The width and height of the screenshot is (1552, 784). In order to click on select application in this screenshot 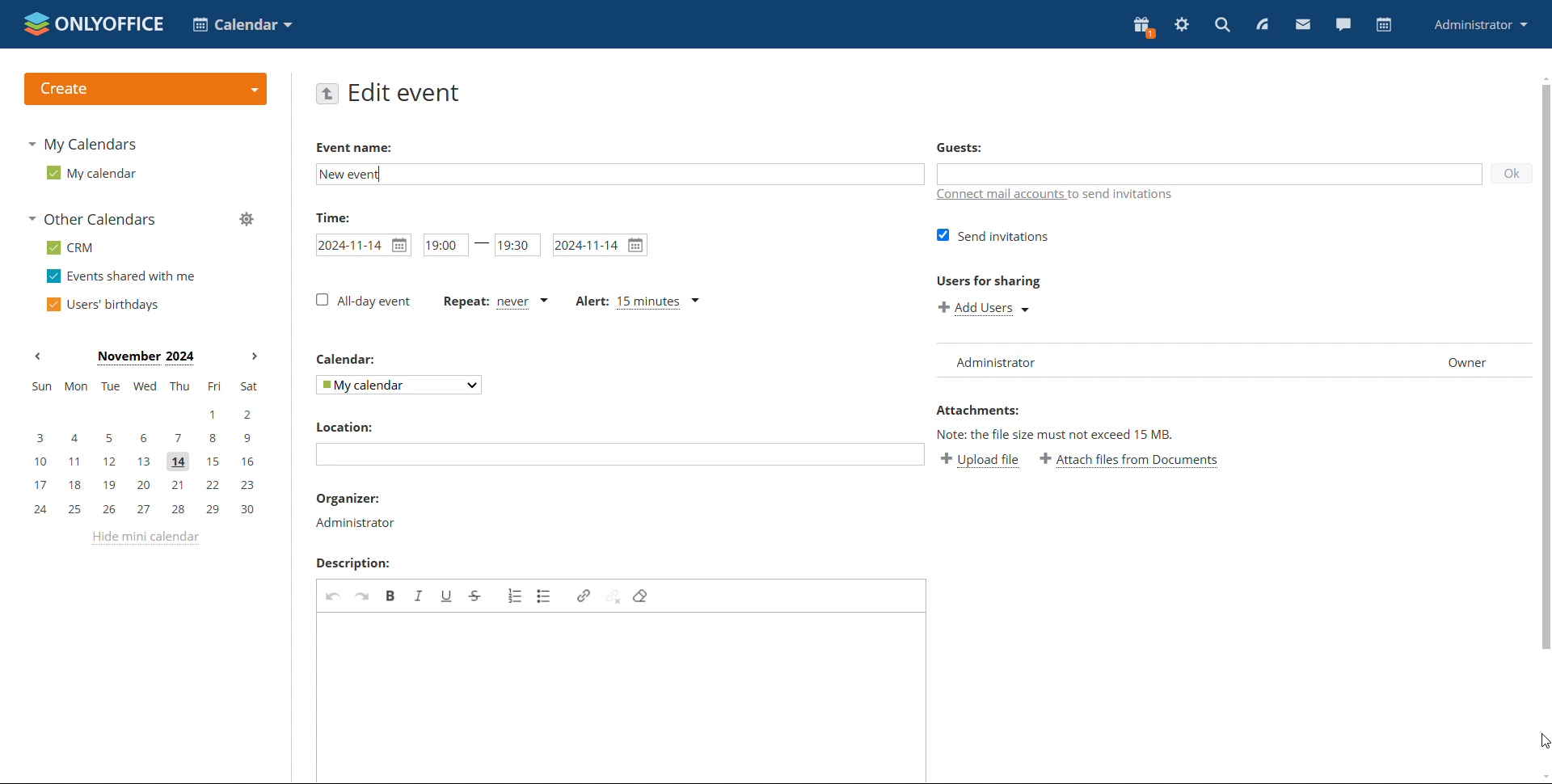, I will do `click(242, 24)`.